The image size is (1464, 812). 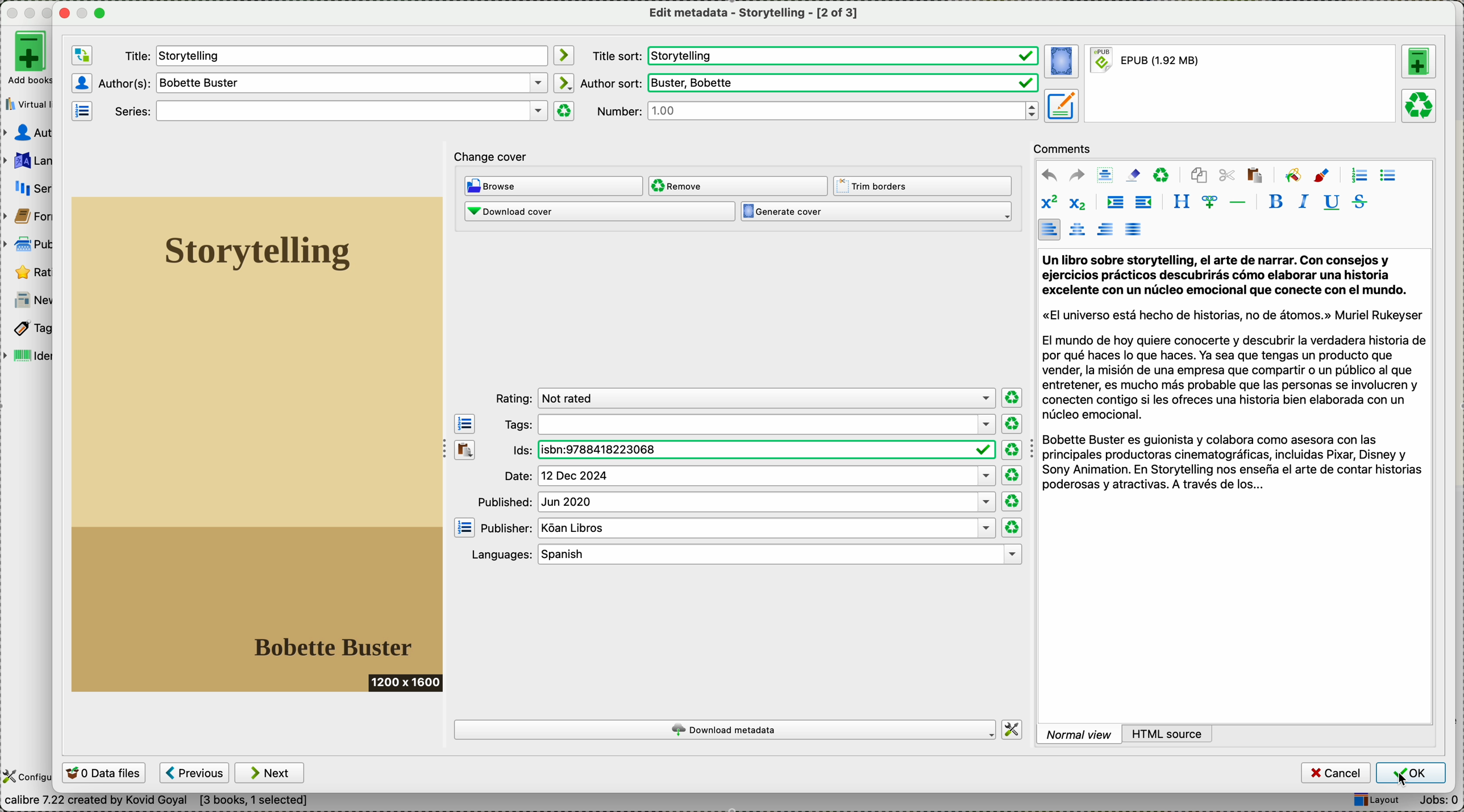 I want to click on browse, so click(x=554, y=187).